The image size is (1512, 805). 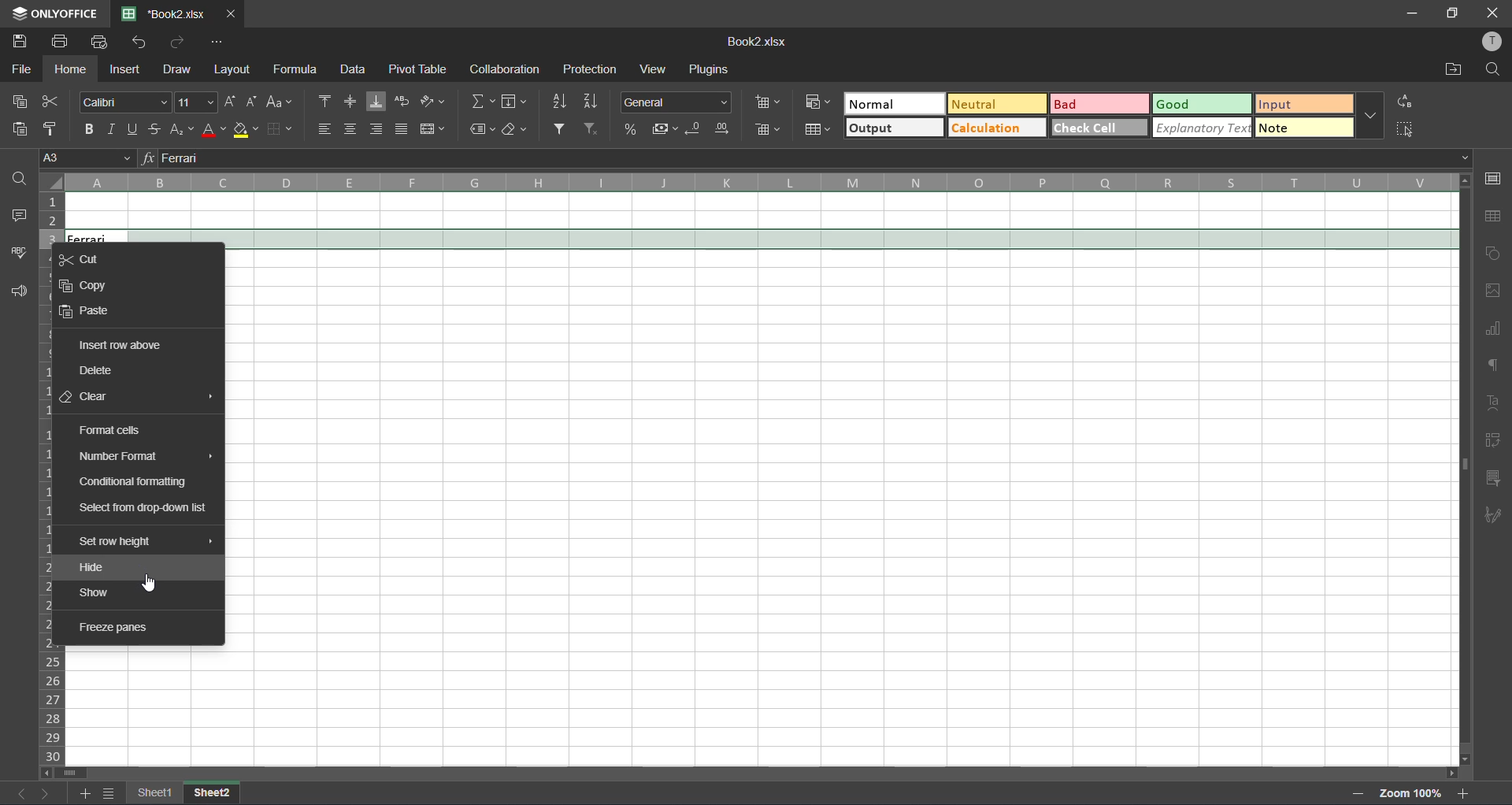 I want to click on undo, so click(x=137, y=43).